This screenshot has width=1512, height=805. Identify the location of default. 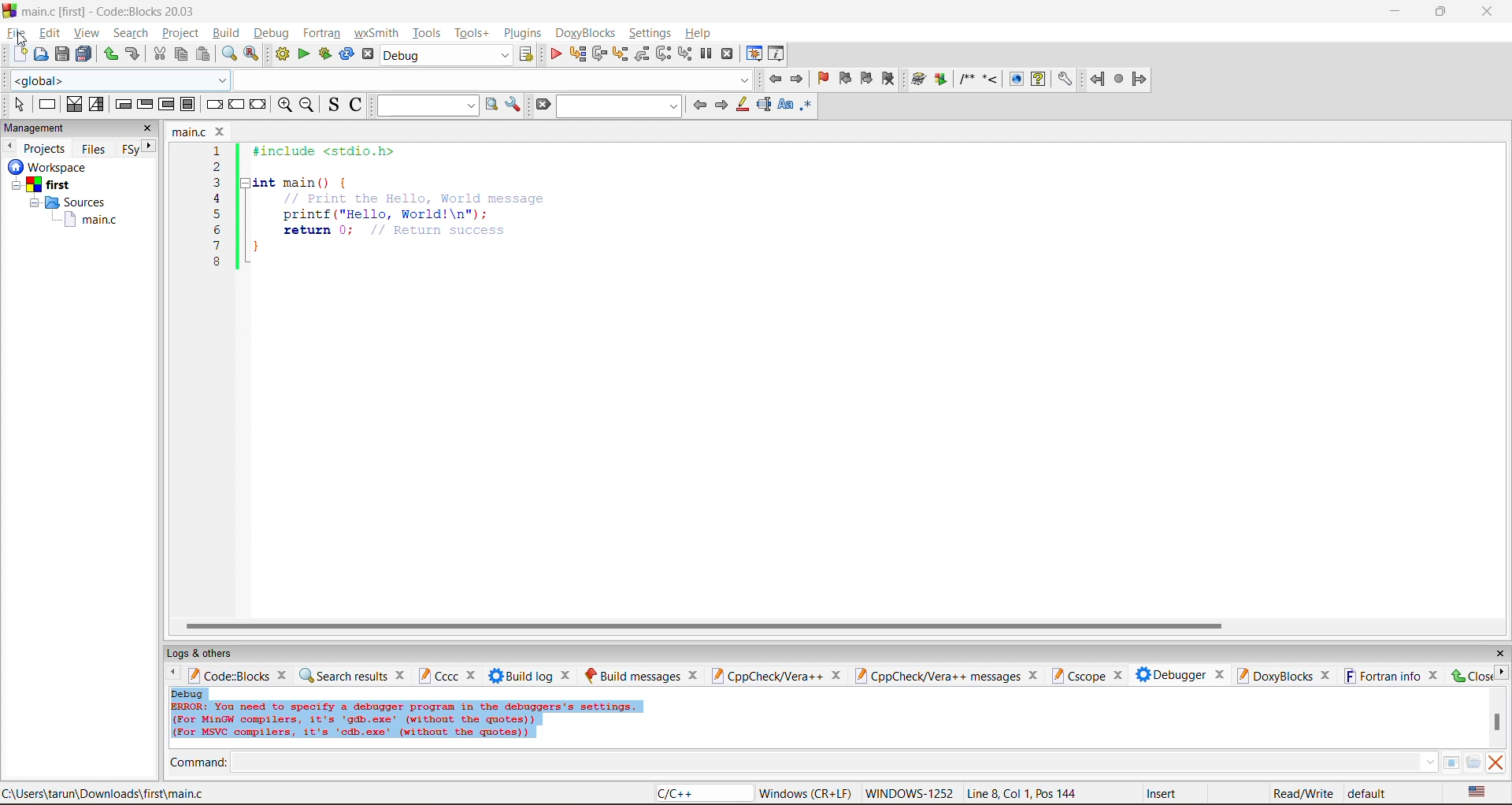
(1369, 792).